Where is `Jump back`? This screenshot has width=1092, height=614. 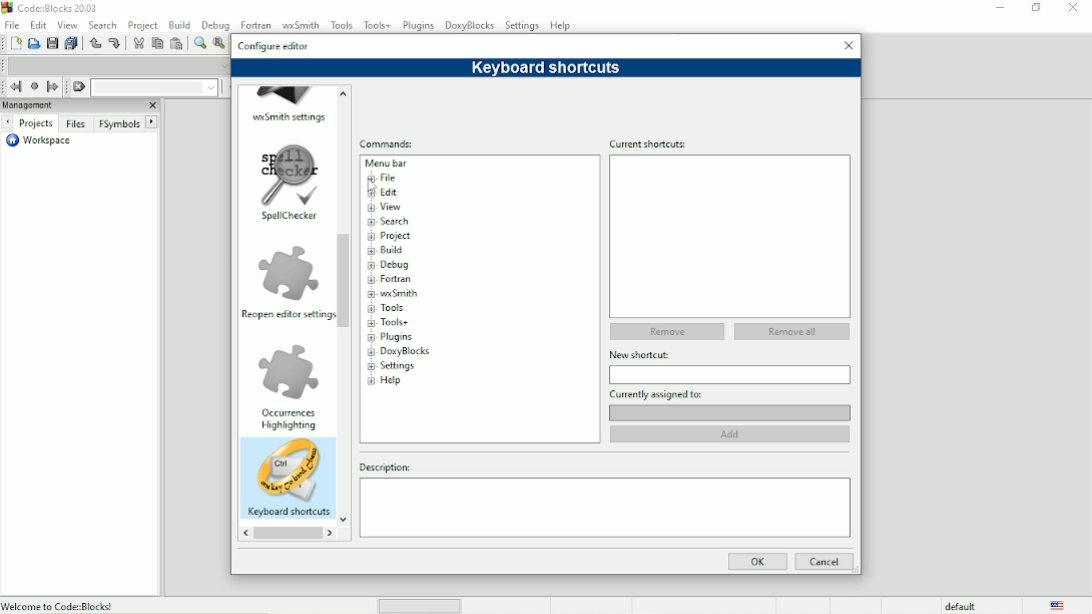 Jump back is located at coordinates (14, 87).